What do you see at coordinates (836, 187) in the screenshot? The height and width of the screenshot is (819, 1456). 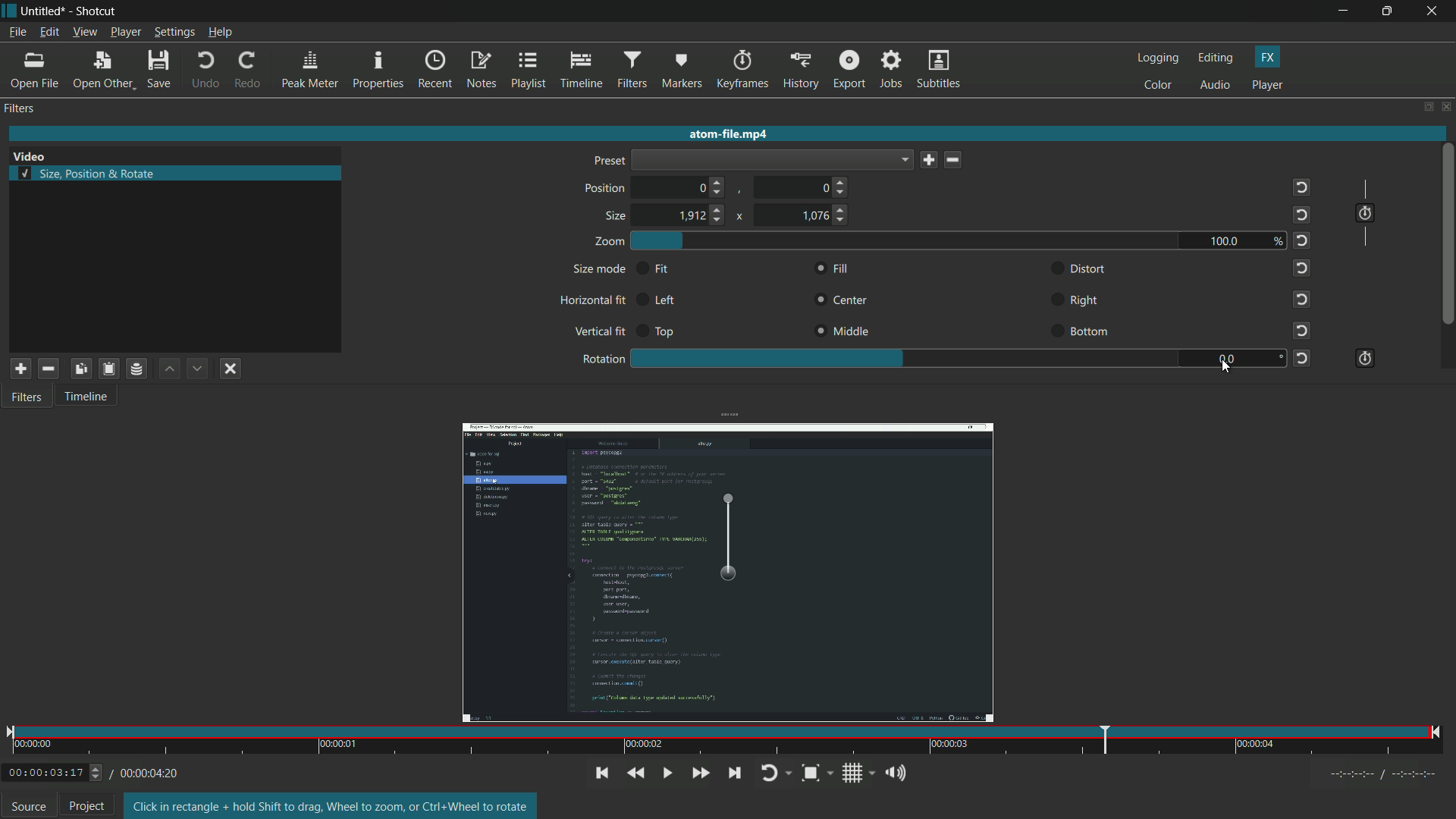 I see `0 (choose position)` at bounding box center [836, 187].